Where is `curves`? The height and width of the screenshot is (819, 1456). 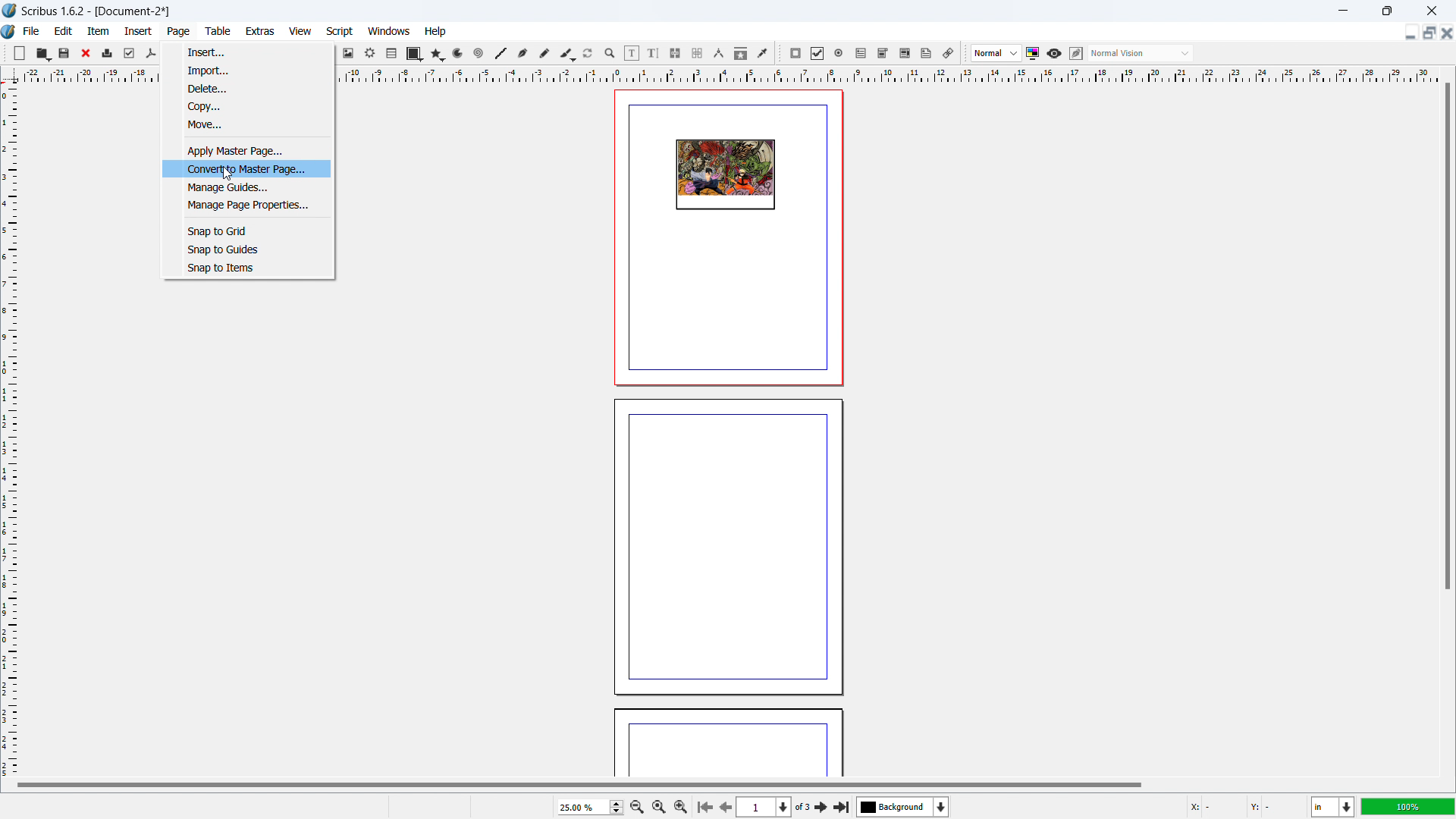 curves is located at coordinates (460, 54).